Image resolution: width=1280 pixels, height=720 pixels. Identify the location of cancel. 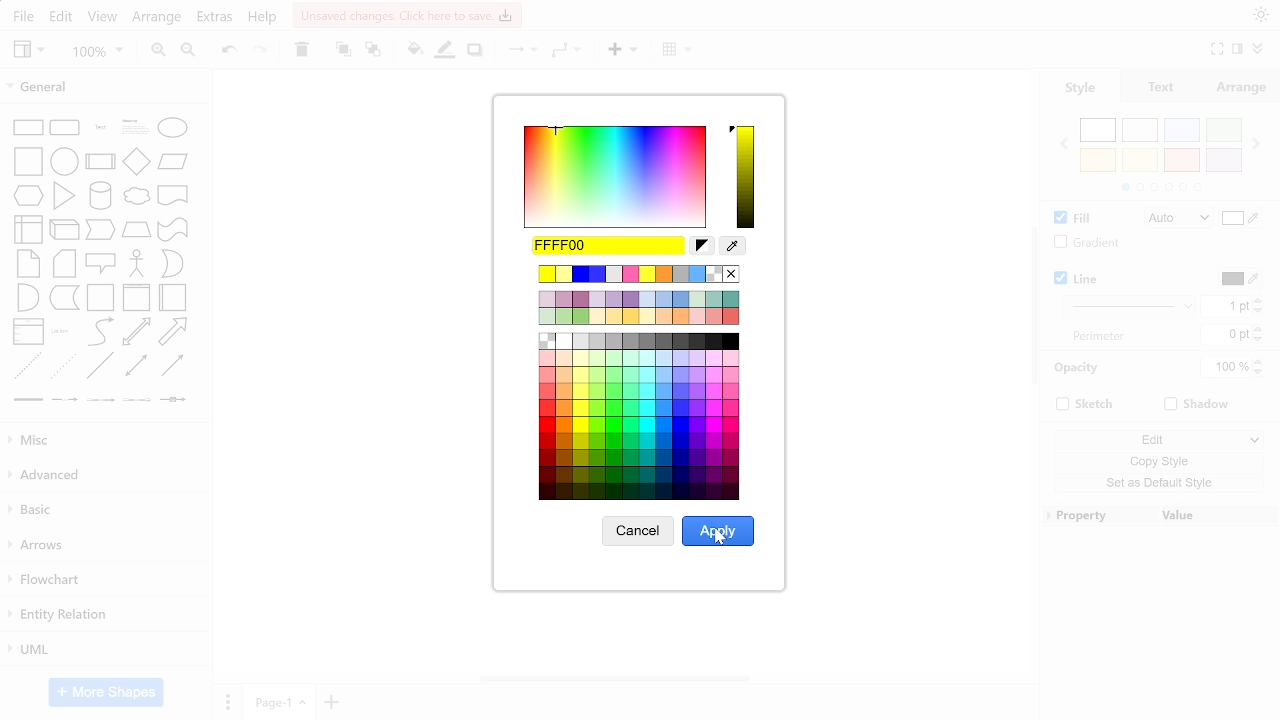
(638, 532).